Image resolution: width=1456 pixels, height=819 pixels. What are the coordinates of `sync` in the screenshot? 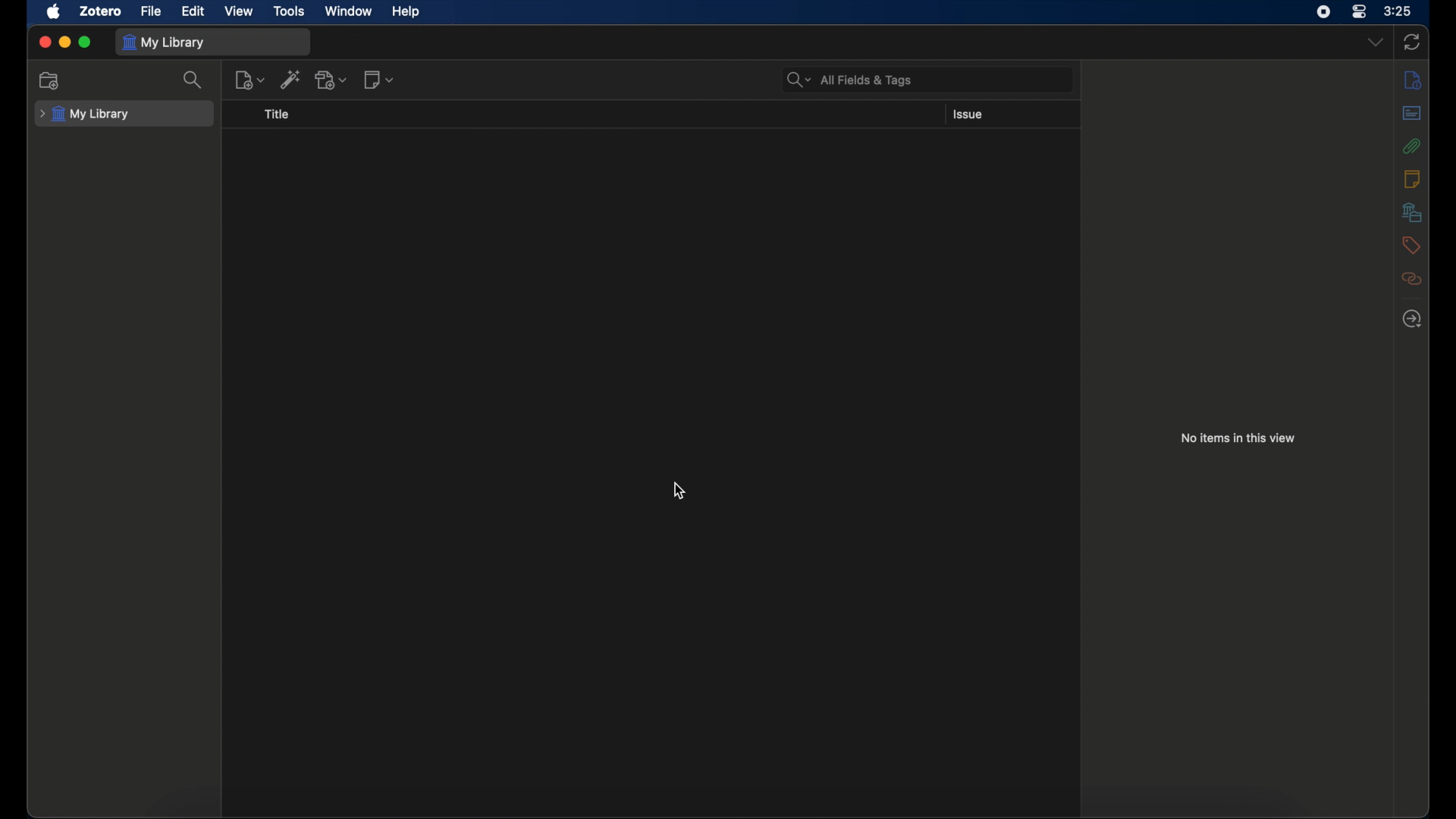 It's located at (1414, 42).